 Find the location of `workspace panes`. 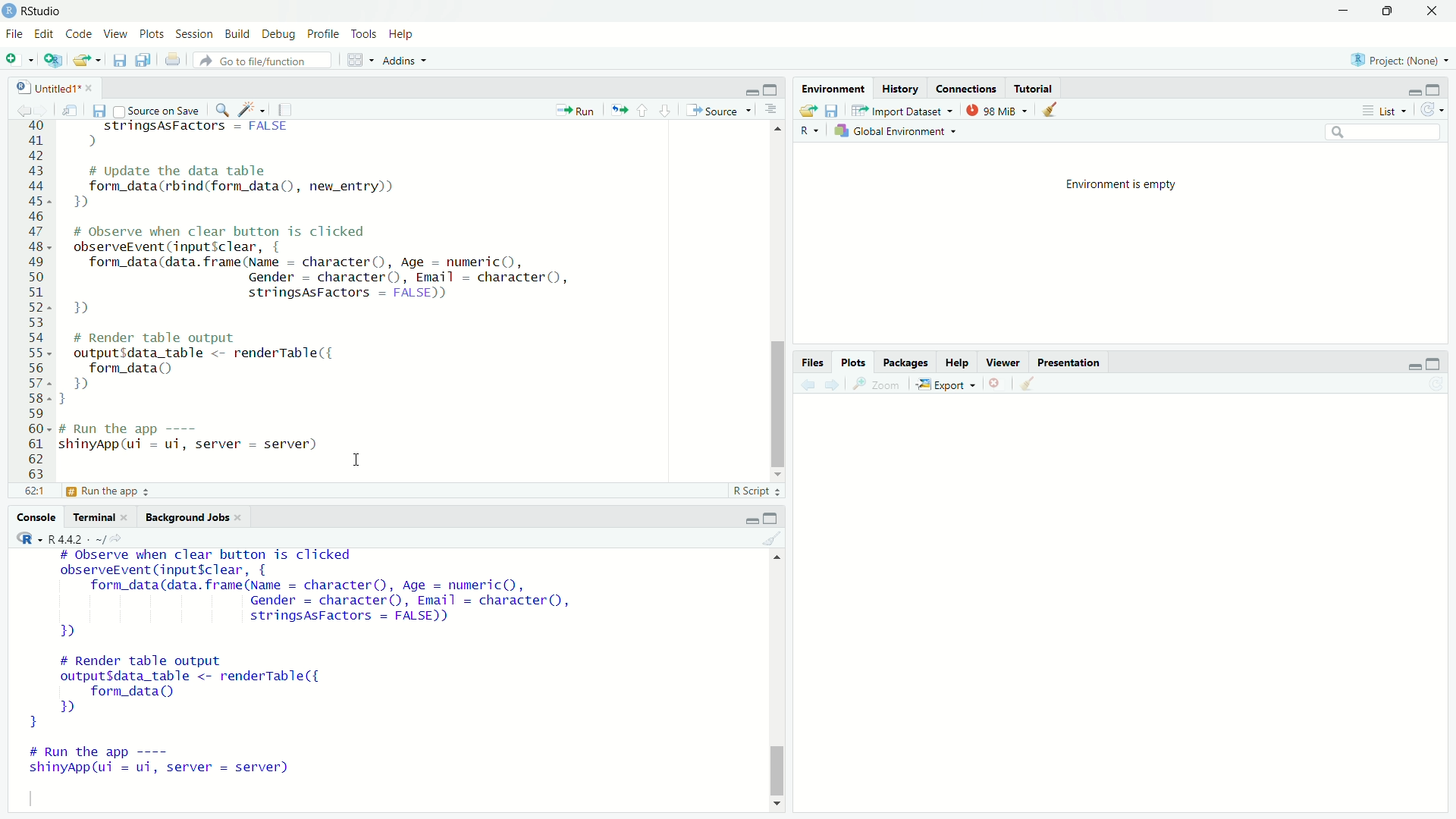

workspace panes is located at coordinates (358, 58).